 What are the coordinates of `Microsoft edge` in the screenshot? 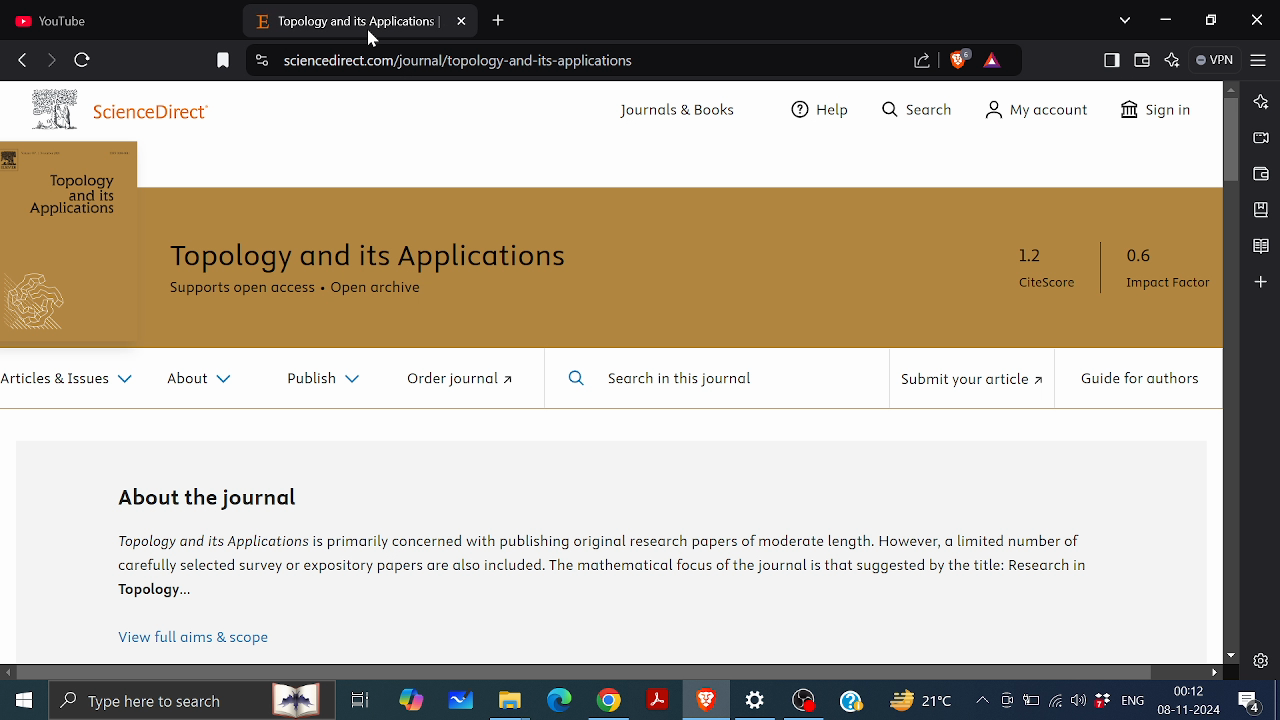 It's located at (560, 701).